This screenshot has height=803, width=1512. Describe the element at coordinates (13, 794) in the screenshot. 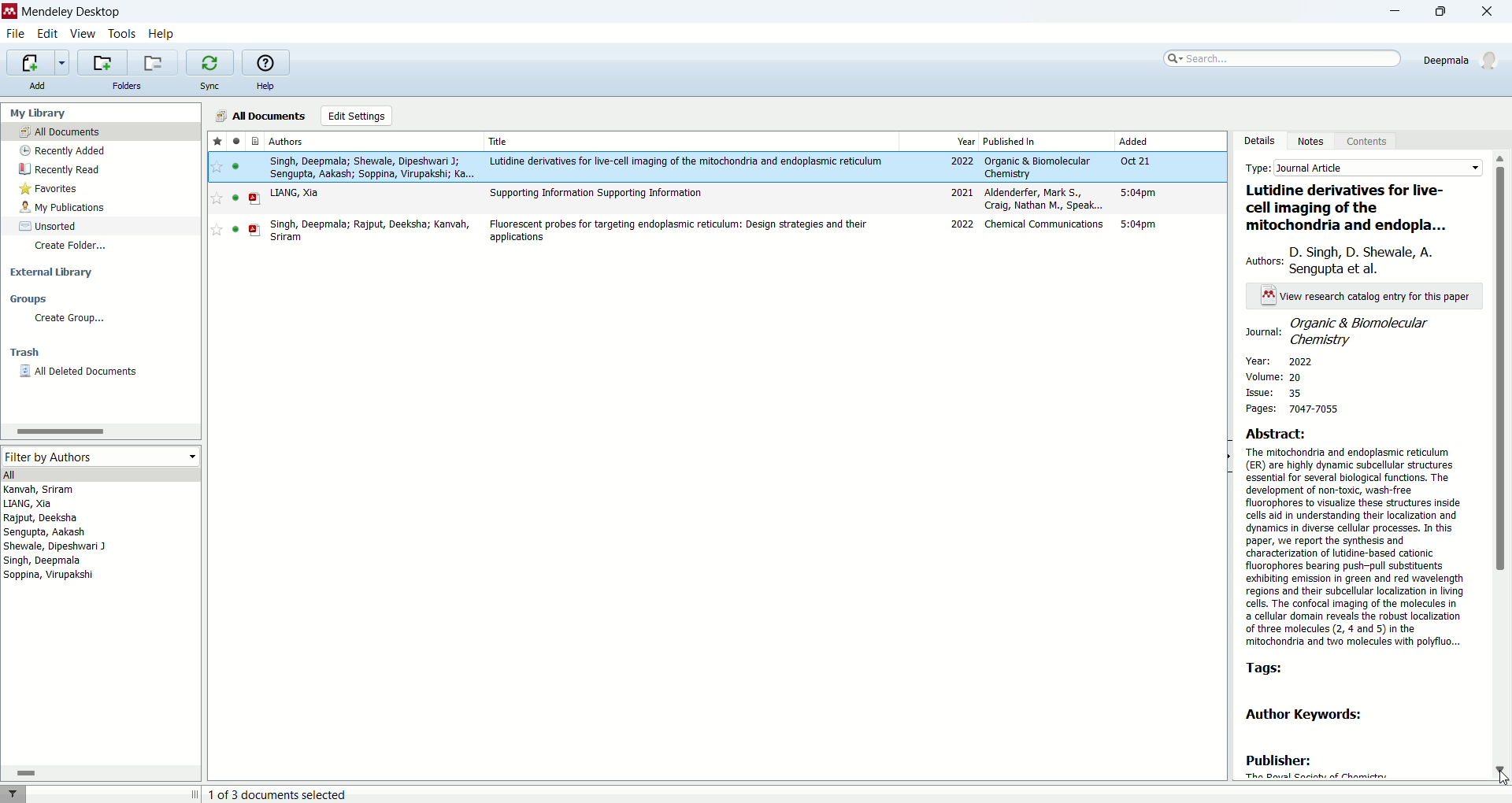

I see `filter` at that location.